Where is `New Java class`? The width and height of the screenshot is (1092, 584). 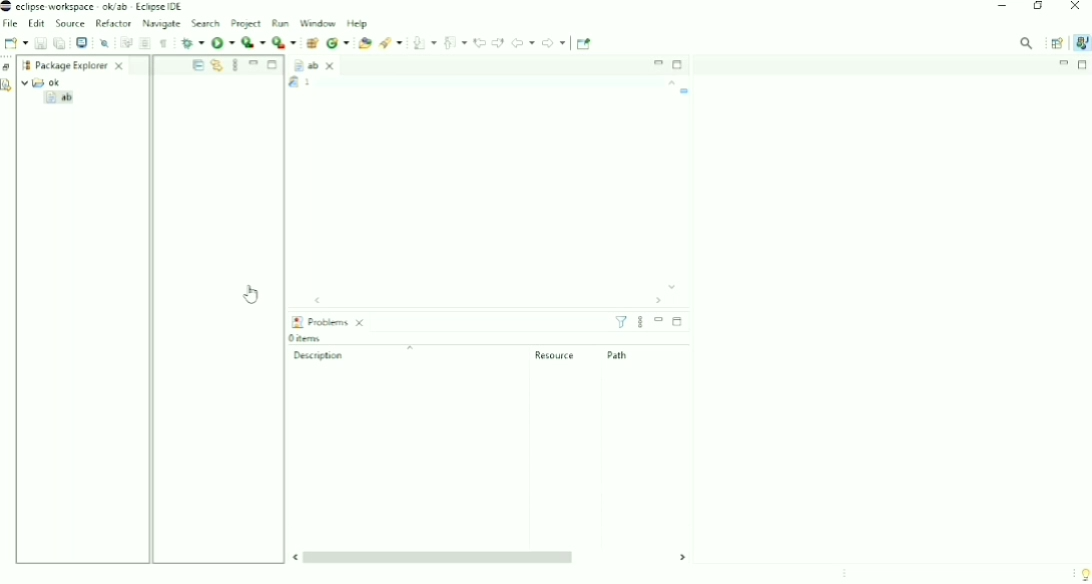
New Java class is located at coordinates (338, 43).